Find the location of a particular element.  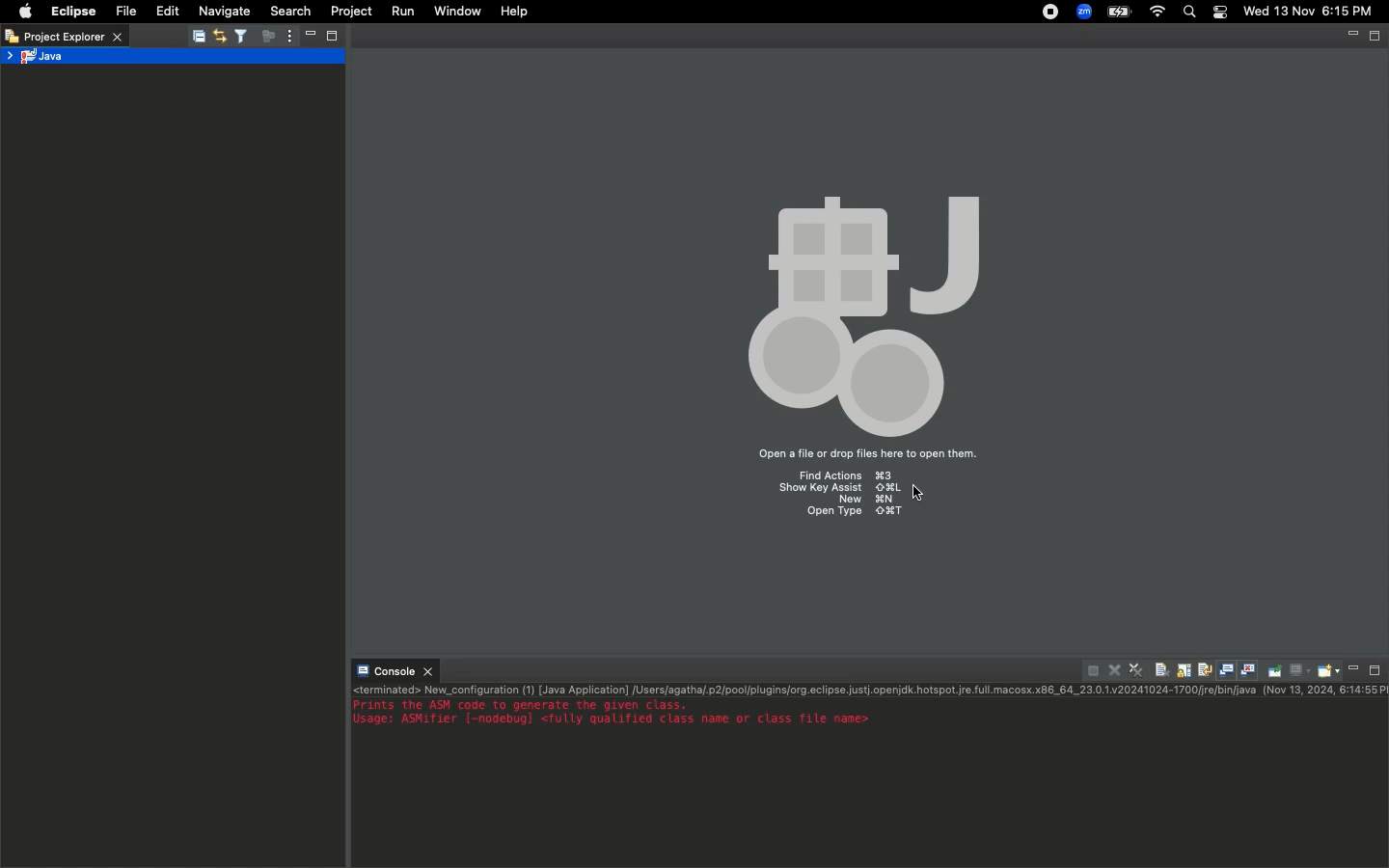

cursor is located at coordinates (919, 492).